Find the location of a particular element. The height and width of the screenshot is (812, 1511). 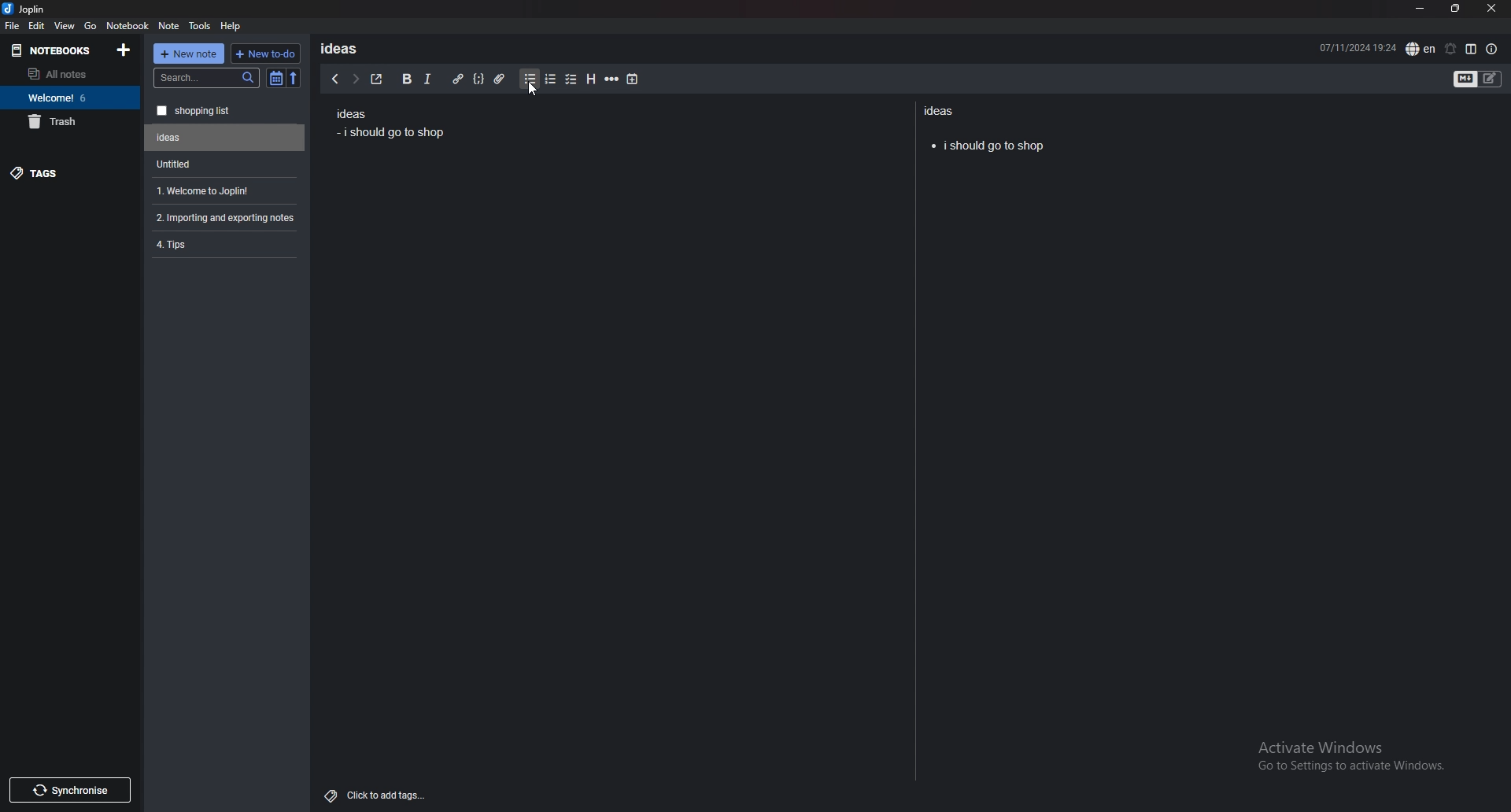

toggle sort order is located at coordinates (276, 79).